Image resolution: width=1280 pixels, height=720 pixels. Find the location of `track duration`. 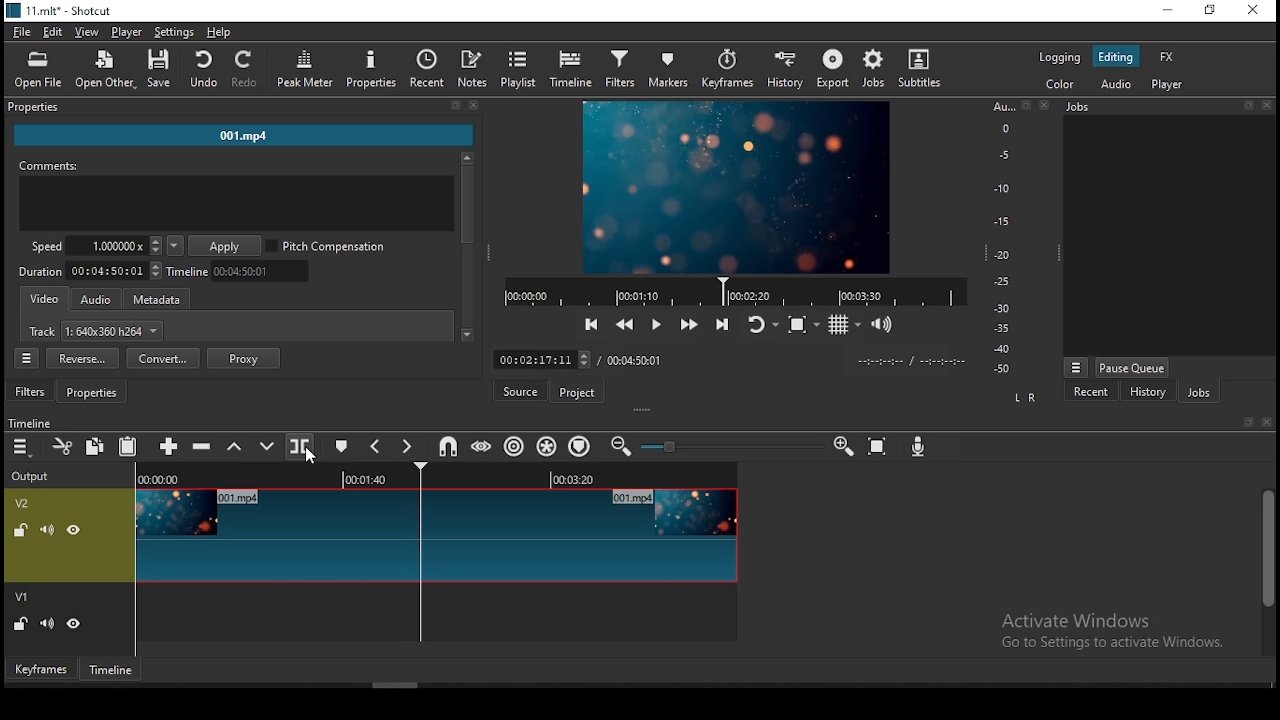

track duration is located at coordinates (91, 270).